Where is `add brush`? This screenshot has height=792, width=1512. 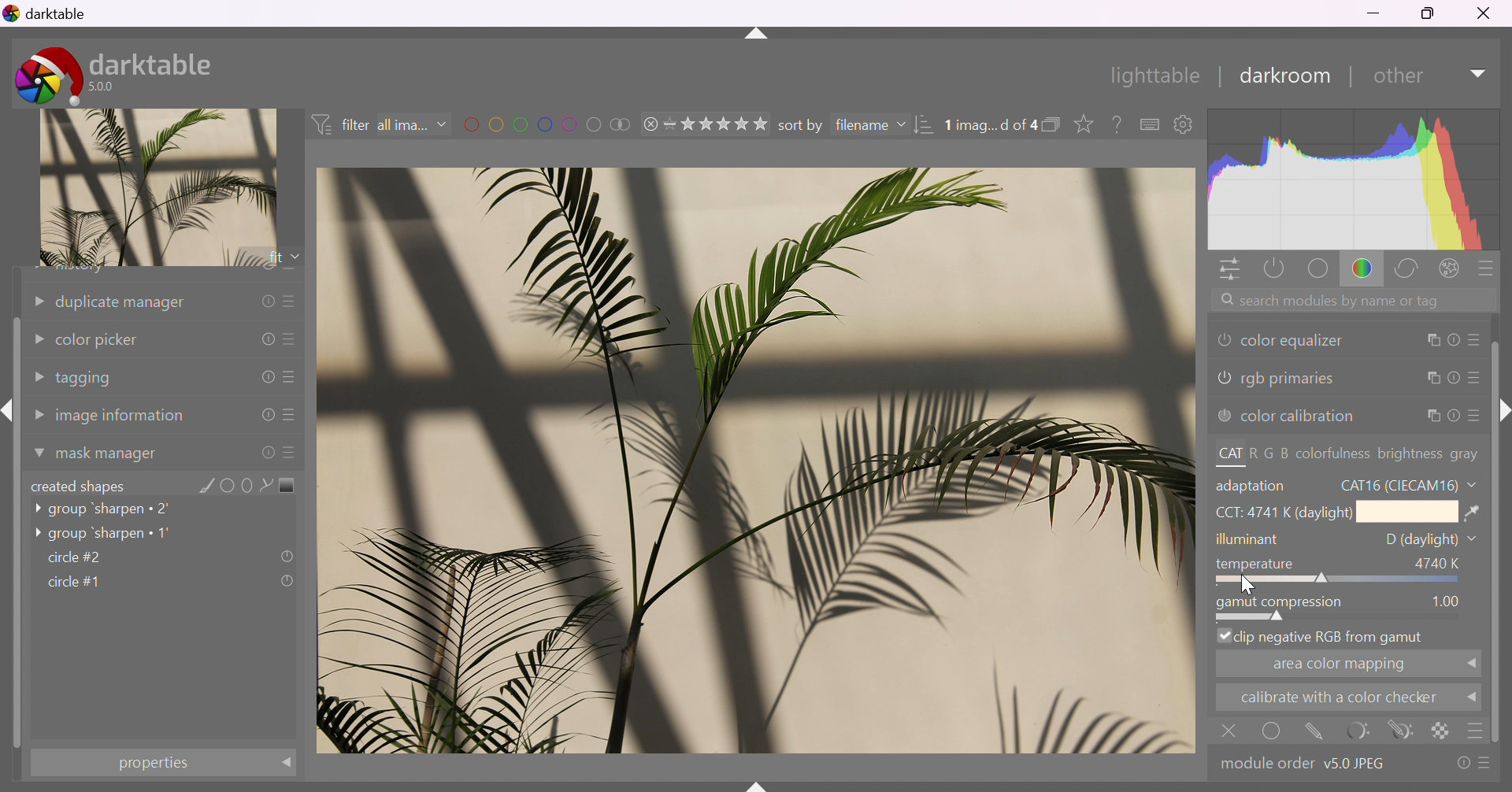
add brush is located at coordinates (204, 485).